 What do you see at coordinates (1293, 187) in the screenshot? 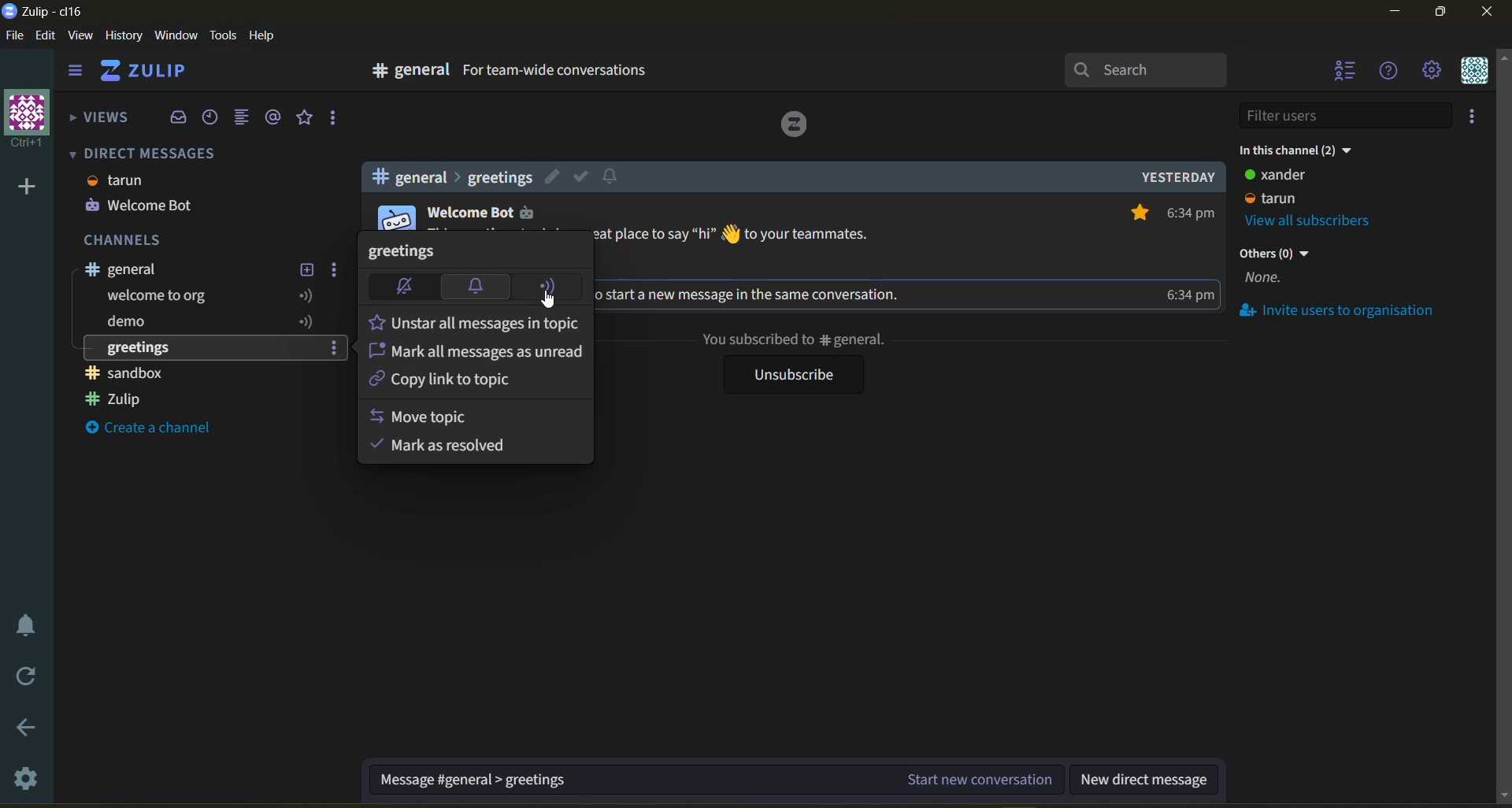
I see `user status` at bounding box center [1293, 187].